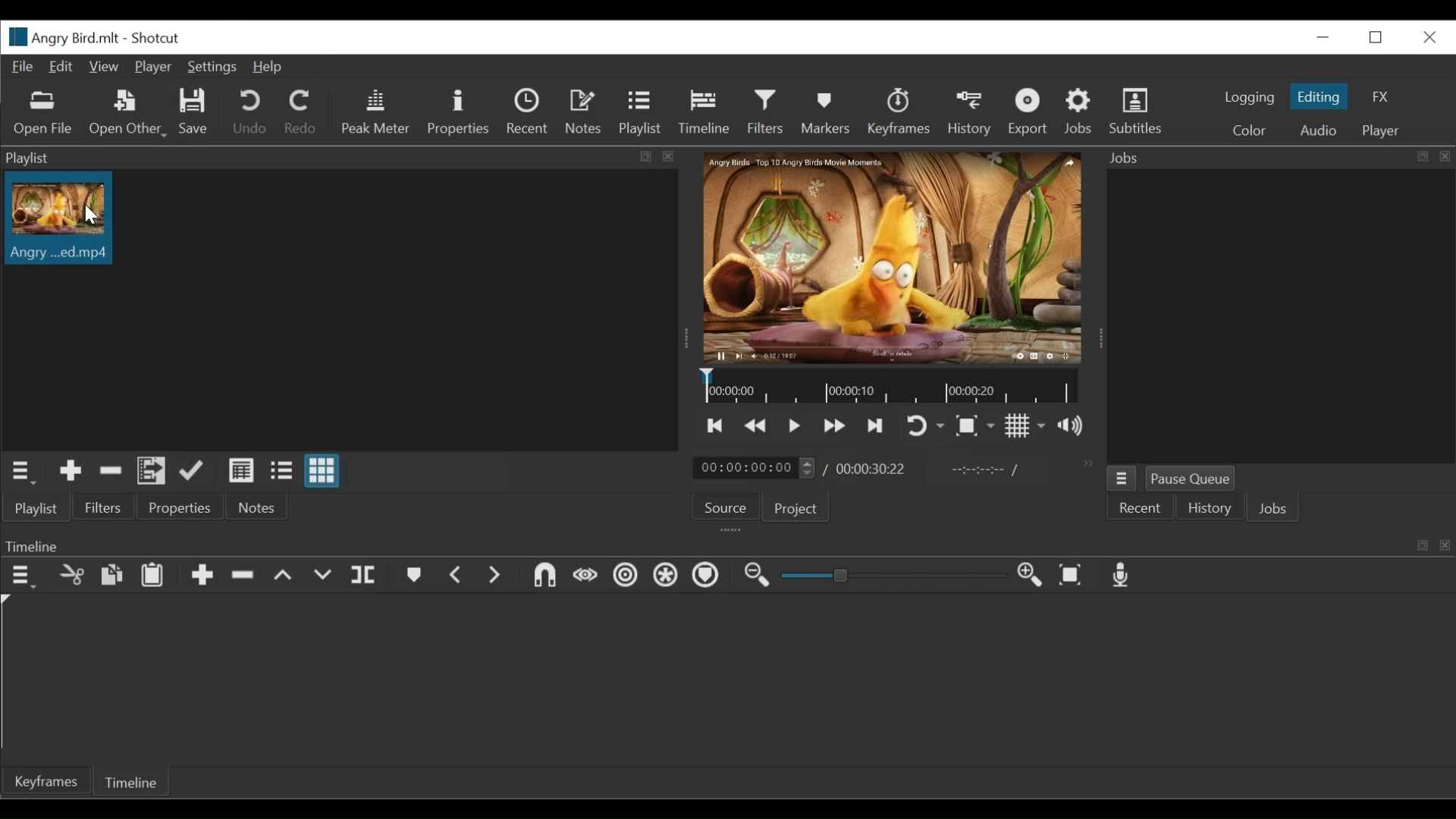 The height and width of the screenshot is (819, 1456). What do you see at coordinates (544, 575) in the screenshot?
I see `snap` at bounding box center [544, 575].